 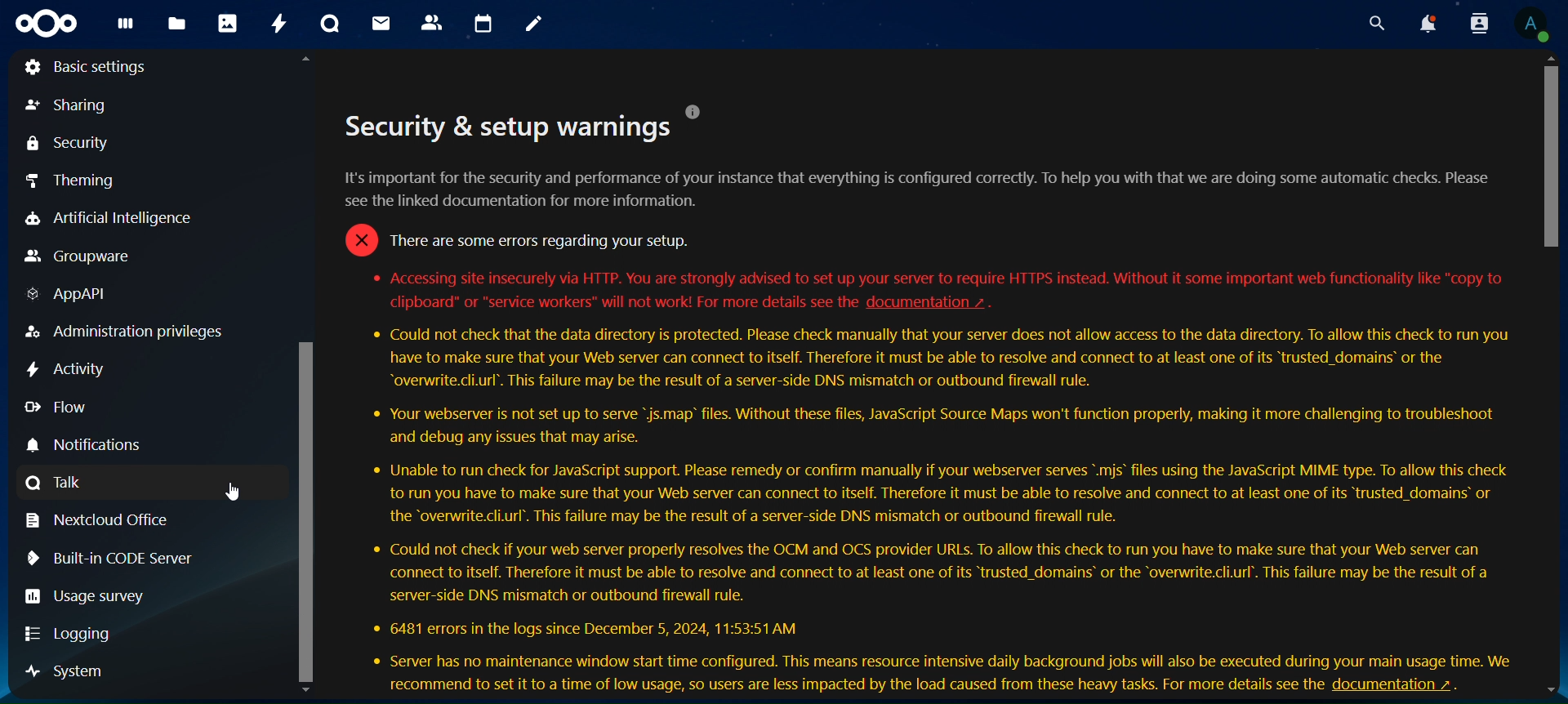 What do you see at coordinates (501, 131) in the screenshot?
I see `text` at bounding box center [501, 131].